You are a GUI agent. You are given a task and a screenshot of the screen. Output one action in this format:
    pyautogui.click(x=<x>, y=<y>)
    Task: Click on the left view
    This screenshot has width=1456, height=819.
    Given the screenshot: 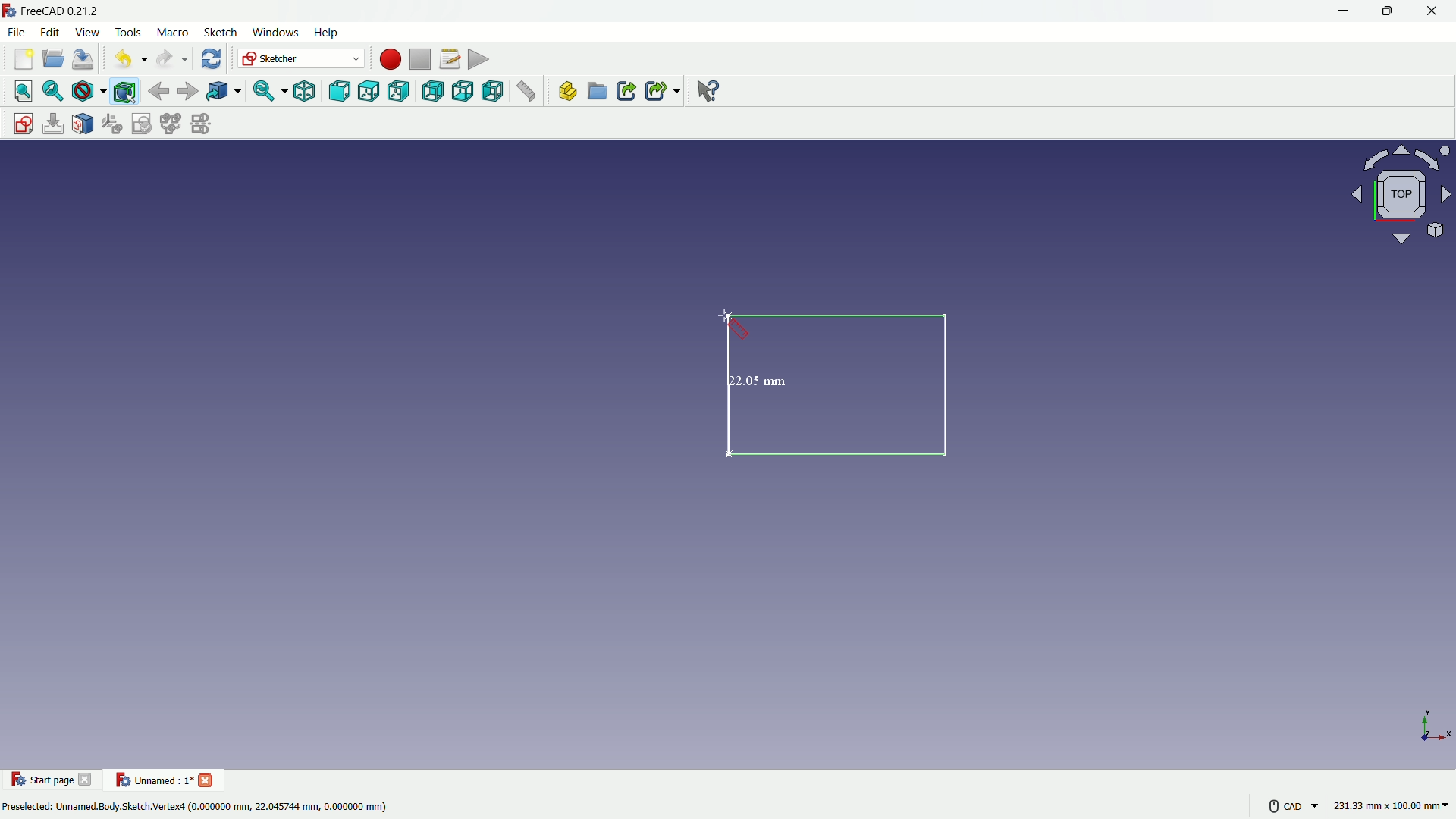 What is the action you would take?
    pyautogui.click(x=495, y=93)
    